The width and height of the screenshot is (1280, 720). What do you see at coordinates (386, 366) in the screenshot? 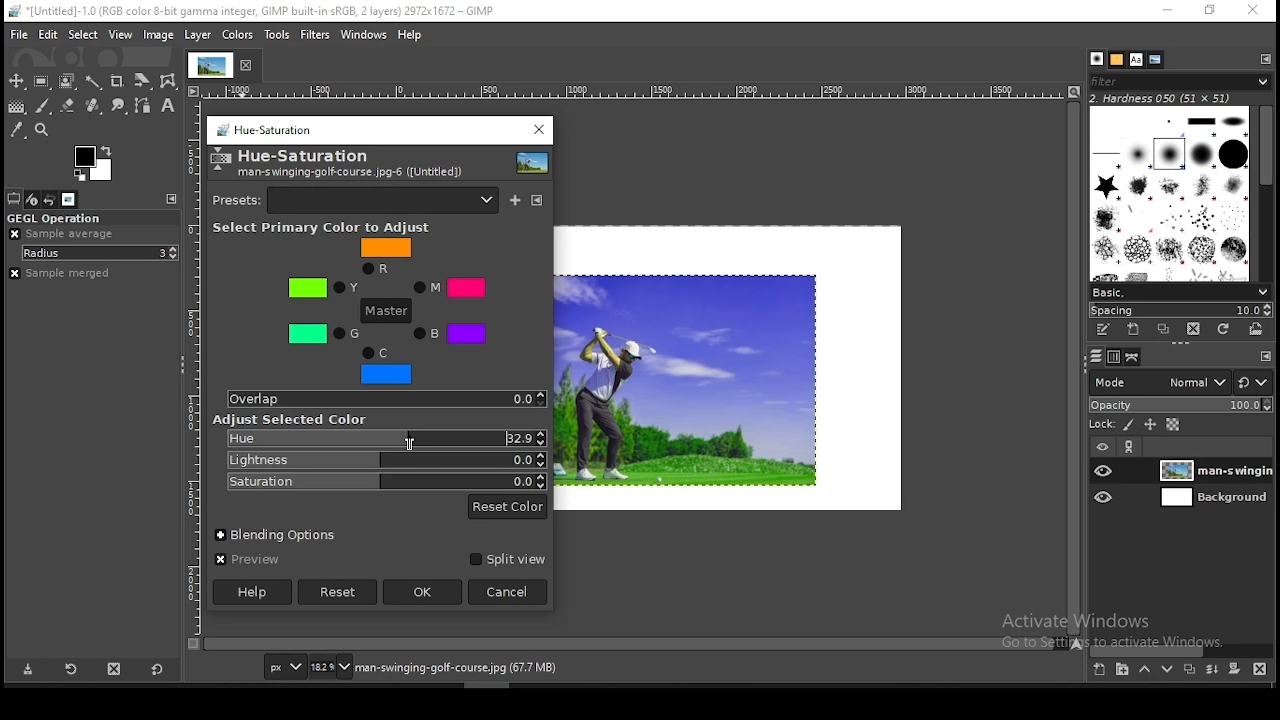
I see `C` at bounding box center [386, 366].